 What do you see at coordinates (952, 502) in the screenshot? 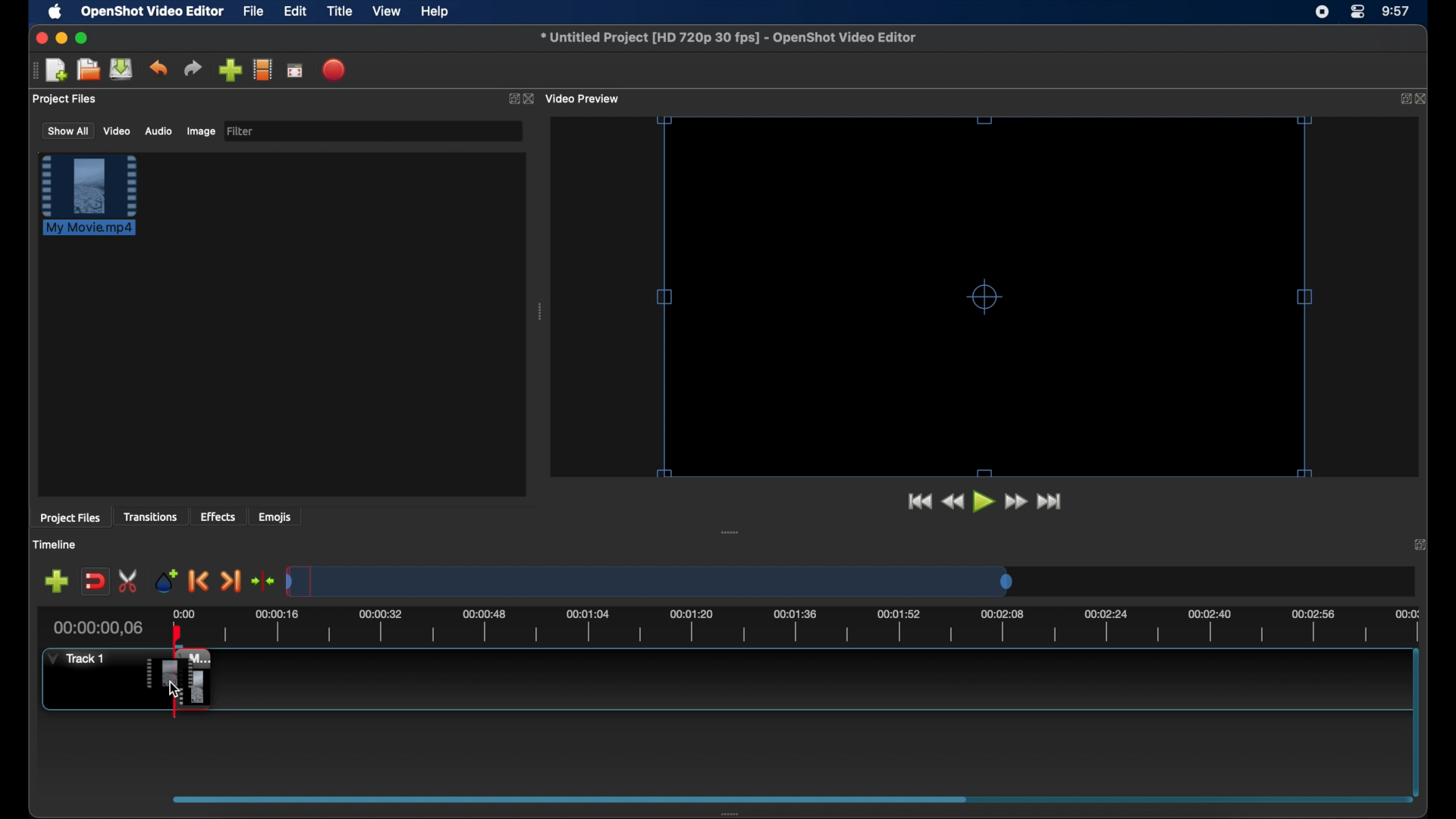
I see `rewind` at bounding box center [952, 502].